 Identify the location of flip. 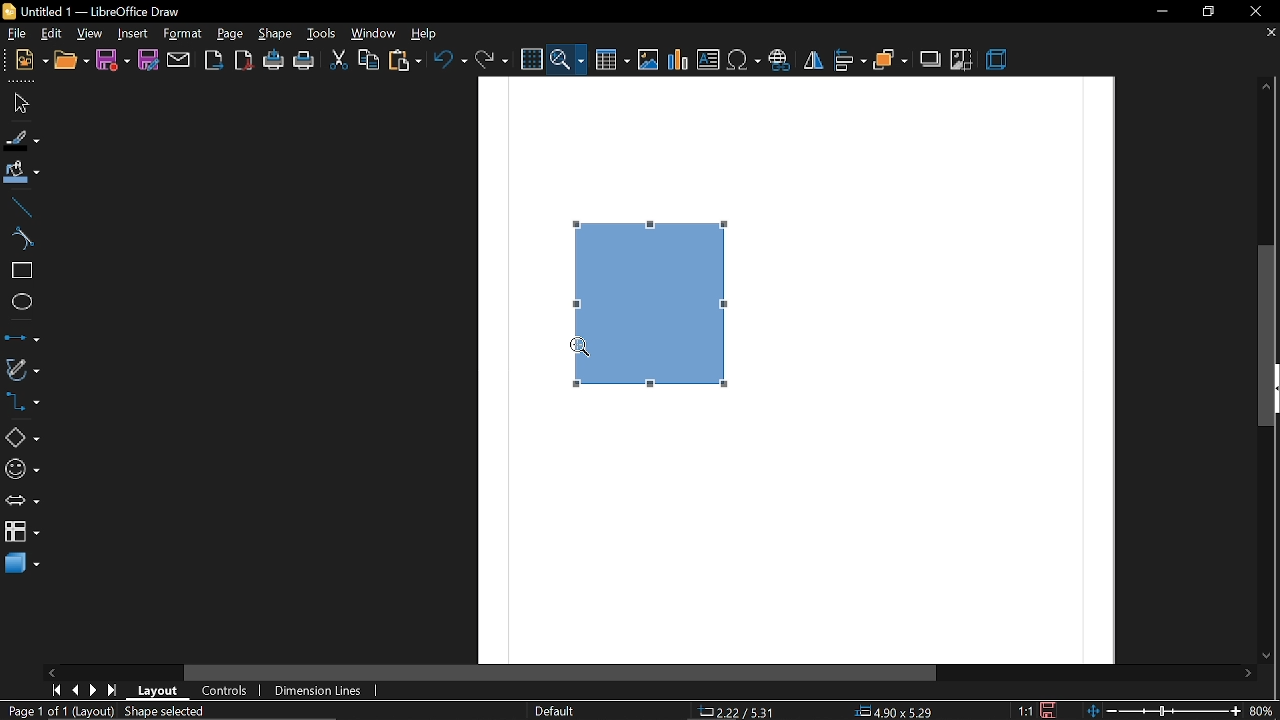
(812, 59).